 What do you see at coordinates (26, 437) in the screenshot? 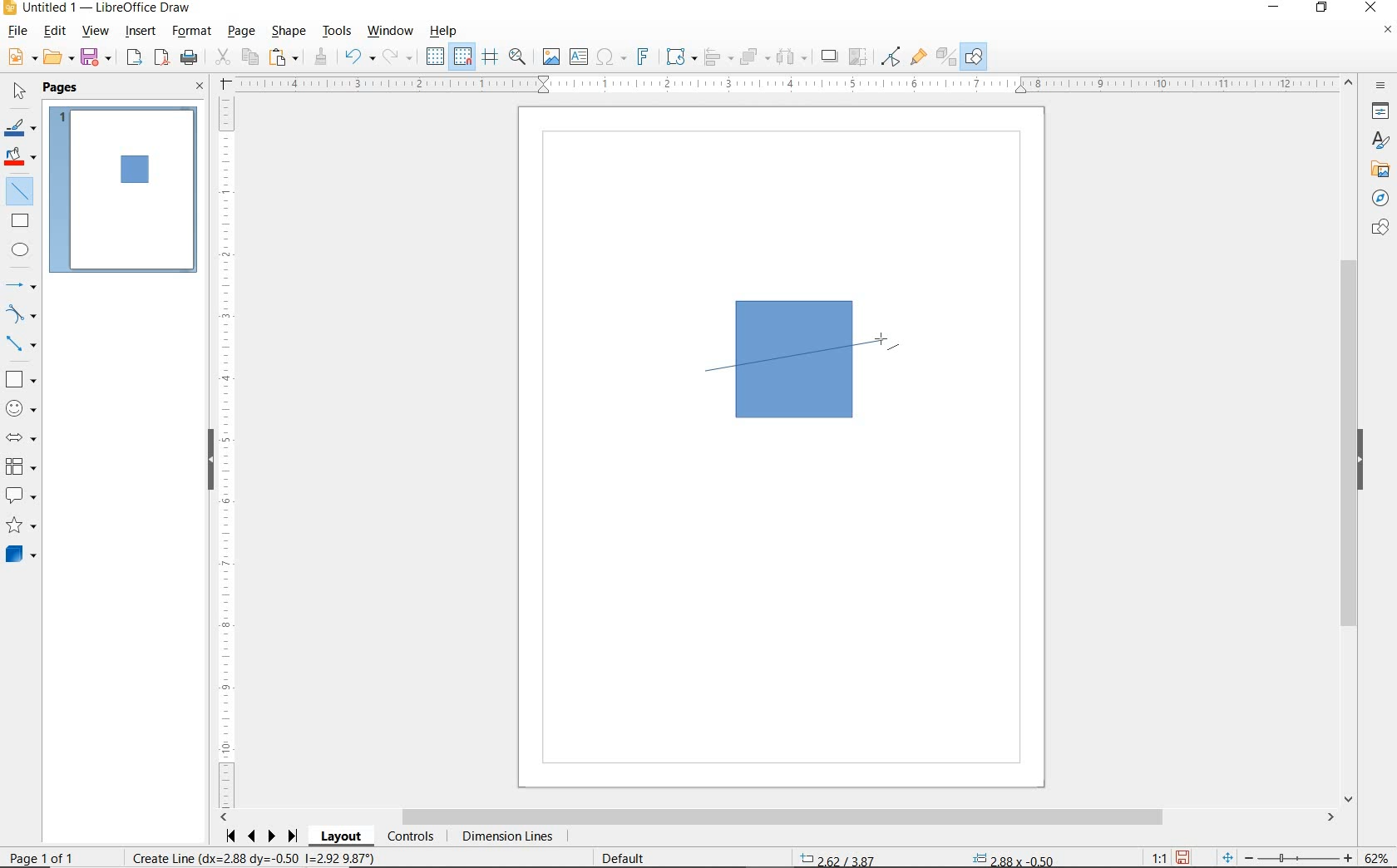
I see `BLOCK ARROWS` at bounding box center [26, 437].